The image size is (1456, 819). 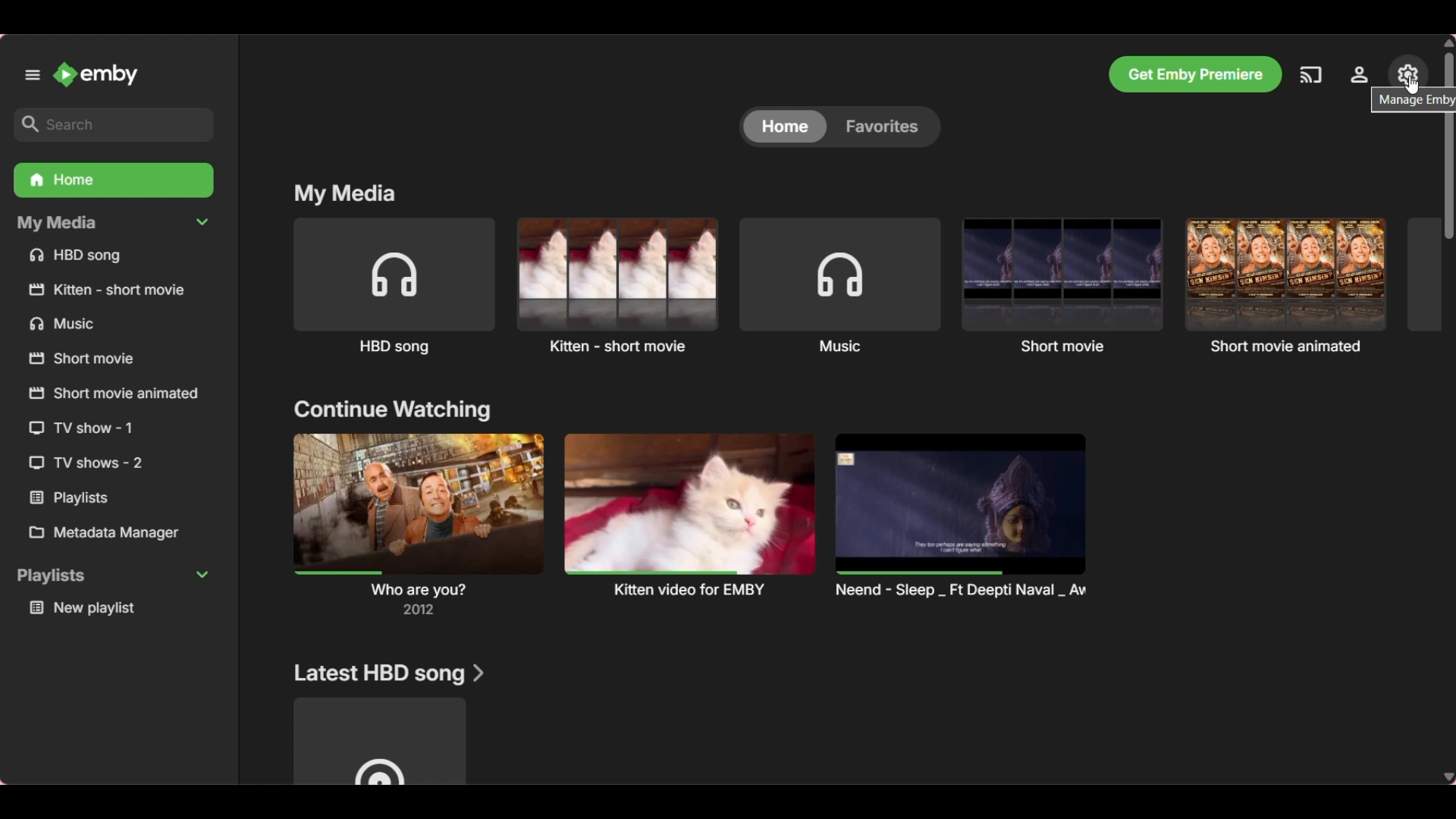 I want to click on Latest watch, so click(x=419, y=526).